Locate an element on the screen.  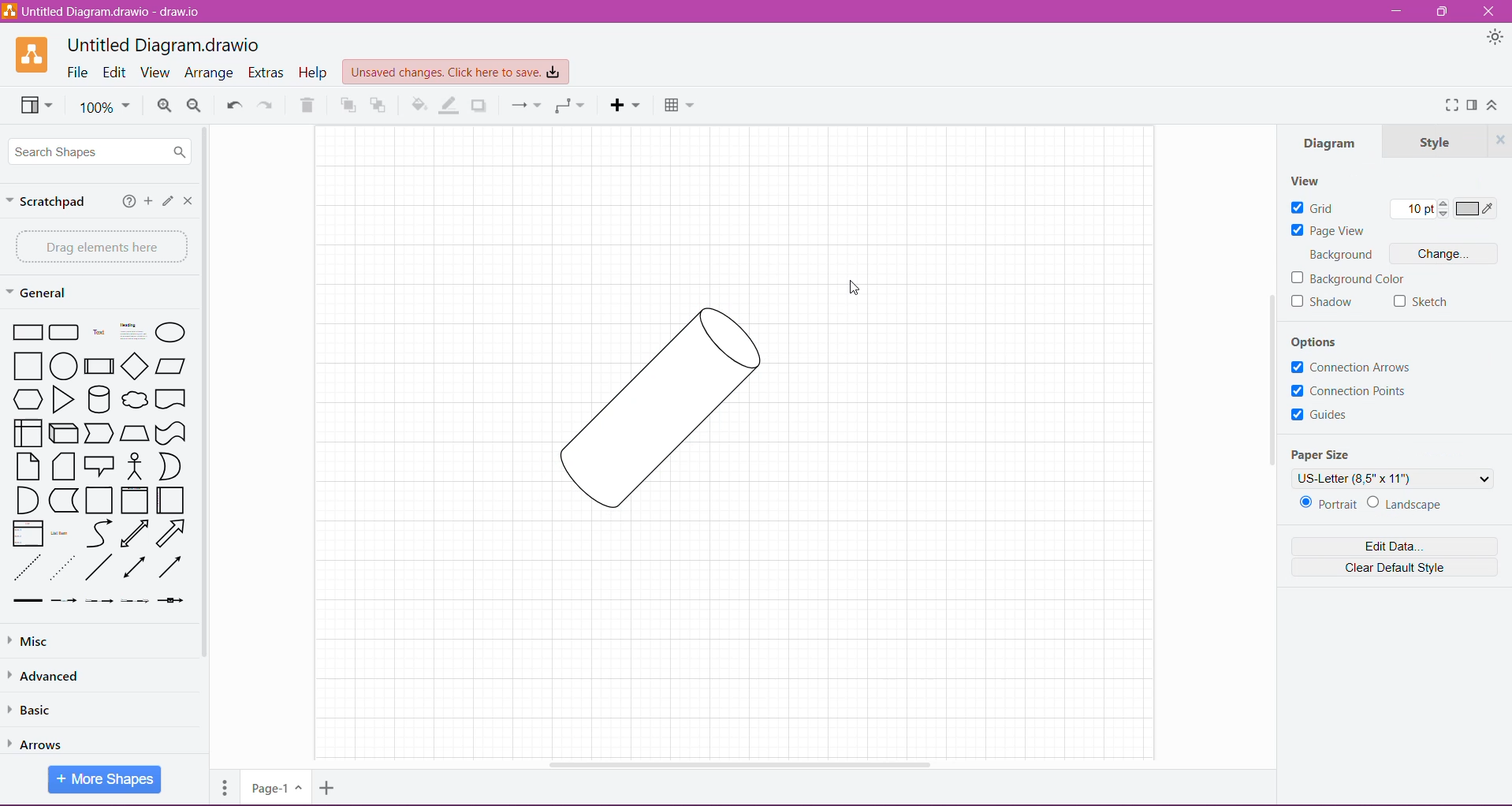
Horizontal Scroll Bar is located at coordinates (744, 765).